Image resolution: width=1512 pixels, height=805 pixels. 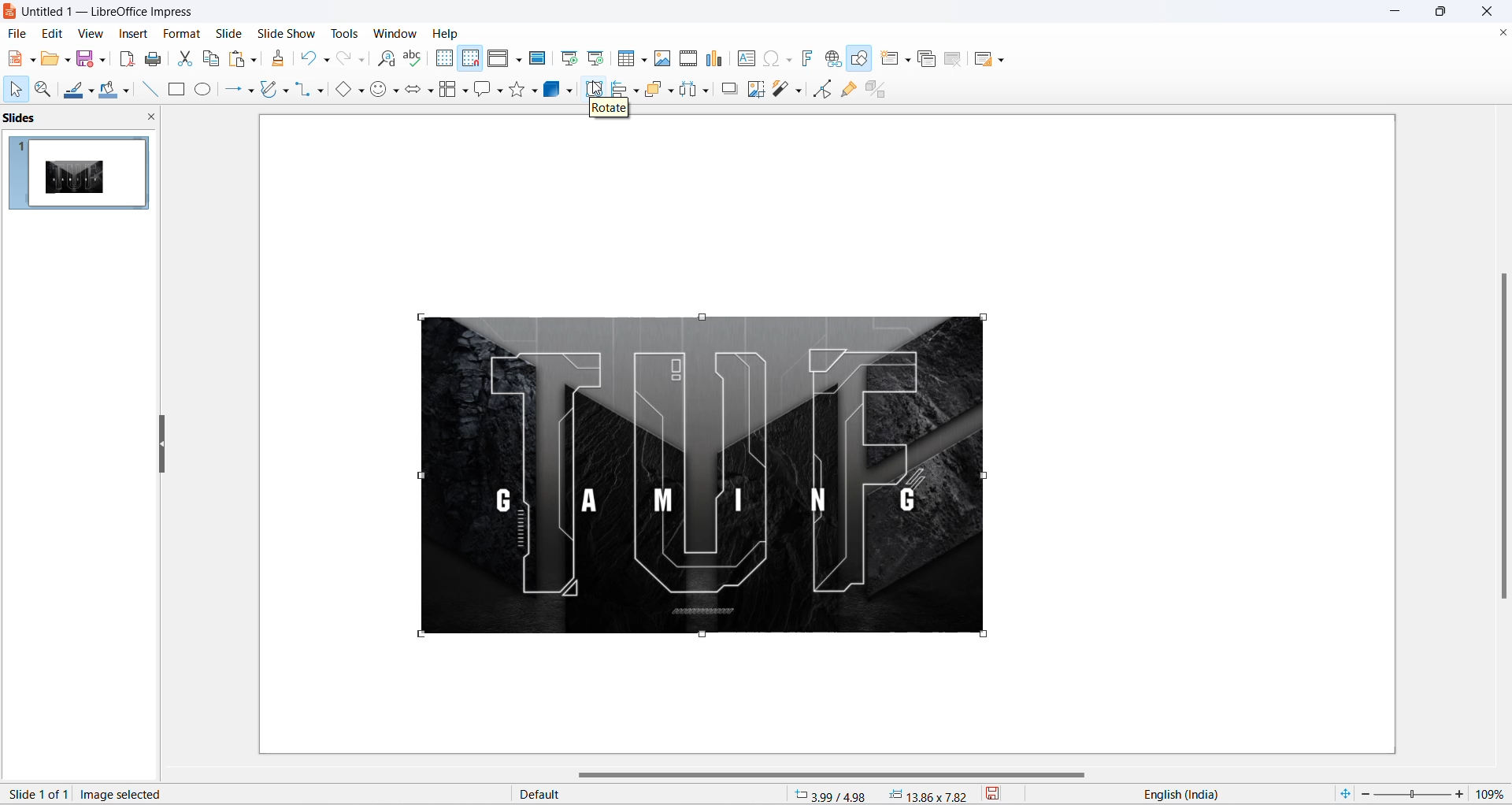 What do you see at coordinates (106, 91) in the screenshot?
I see `fill color` at bounding box center [106, 91].